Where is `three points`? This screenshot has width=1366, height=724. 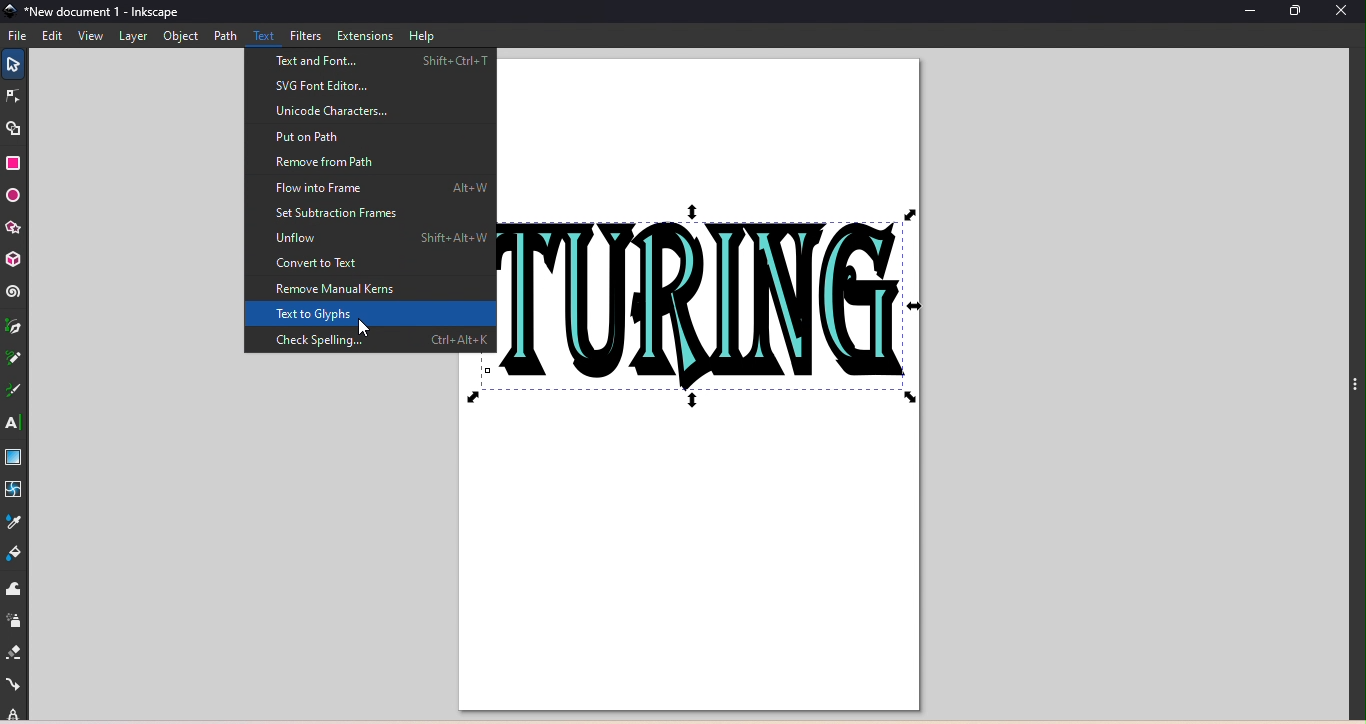
three points is located at coordinates (1353, 391).